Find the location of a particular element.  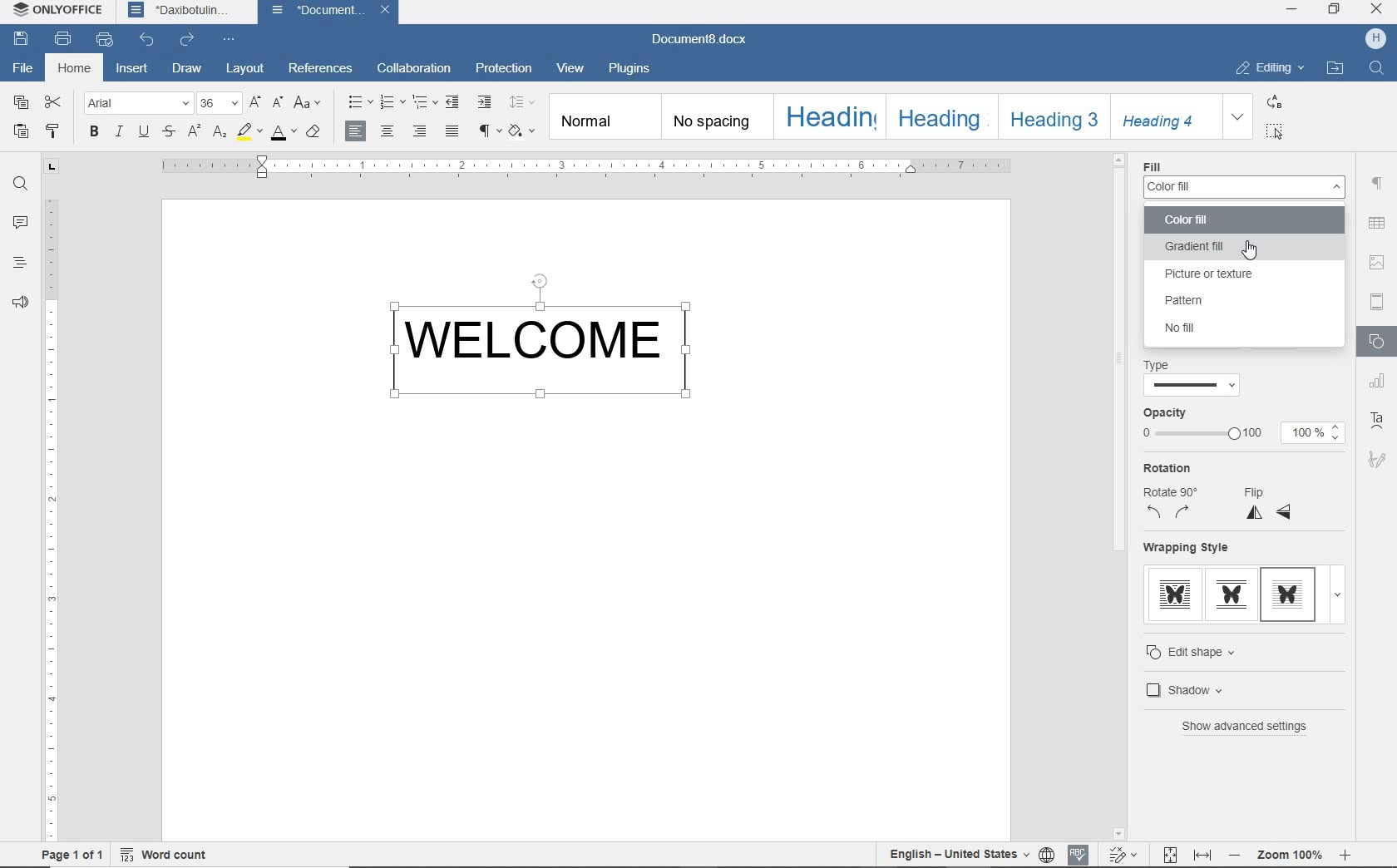

HEADER & FOOTER is located at coordinates (1379, 302).